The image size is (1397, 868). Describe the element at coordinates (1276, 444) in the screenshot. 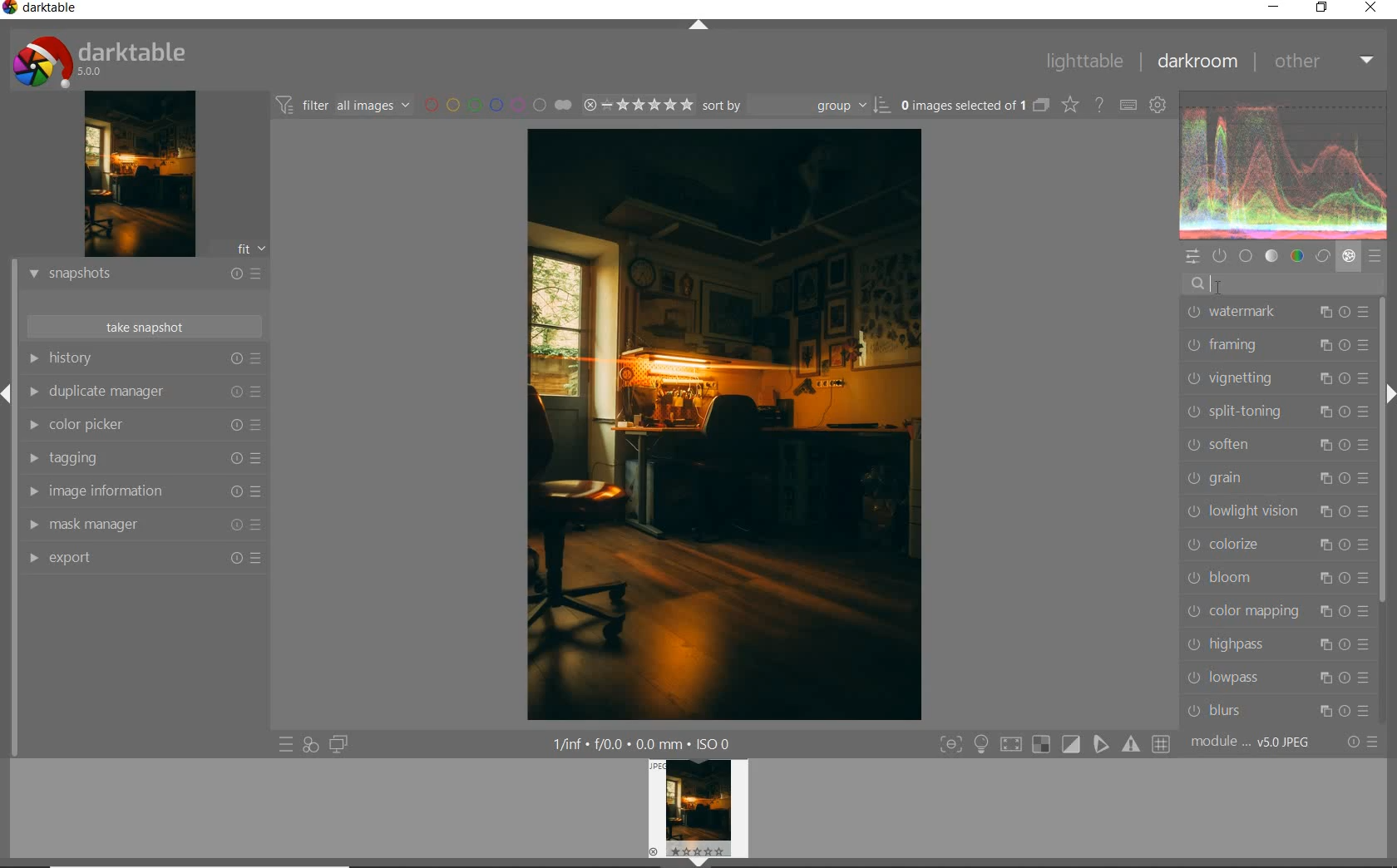

I see `soften` at that location.